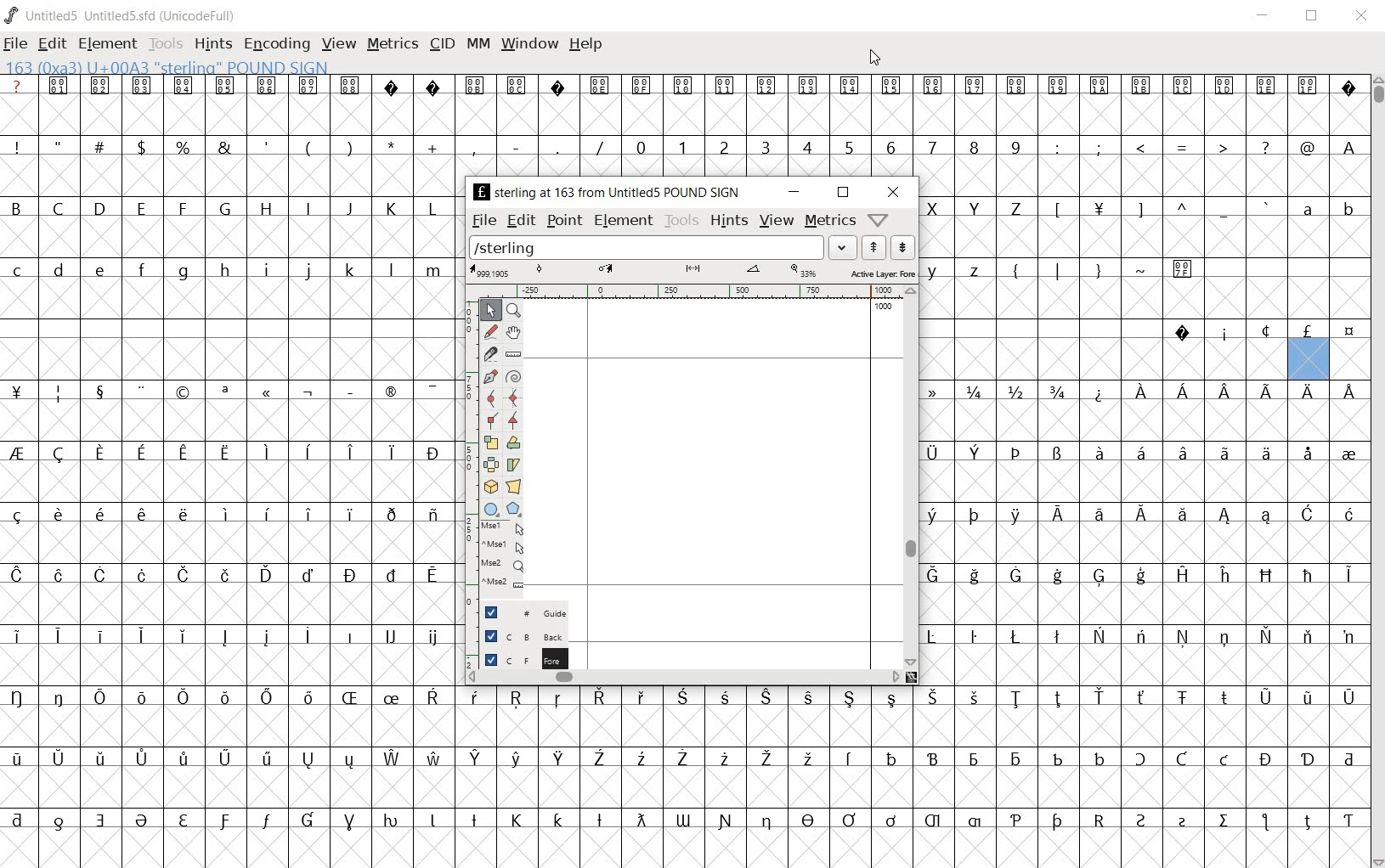 Image resolution: width=1385 pixels, height=868 pixels. I want to click on 163 (Oxa3 00A3 “sterling” POUND SIGN, so click(173, 65).